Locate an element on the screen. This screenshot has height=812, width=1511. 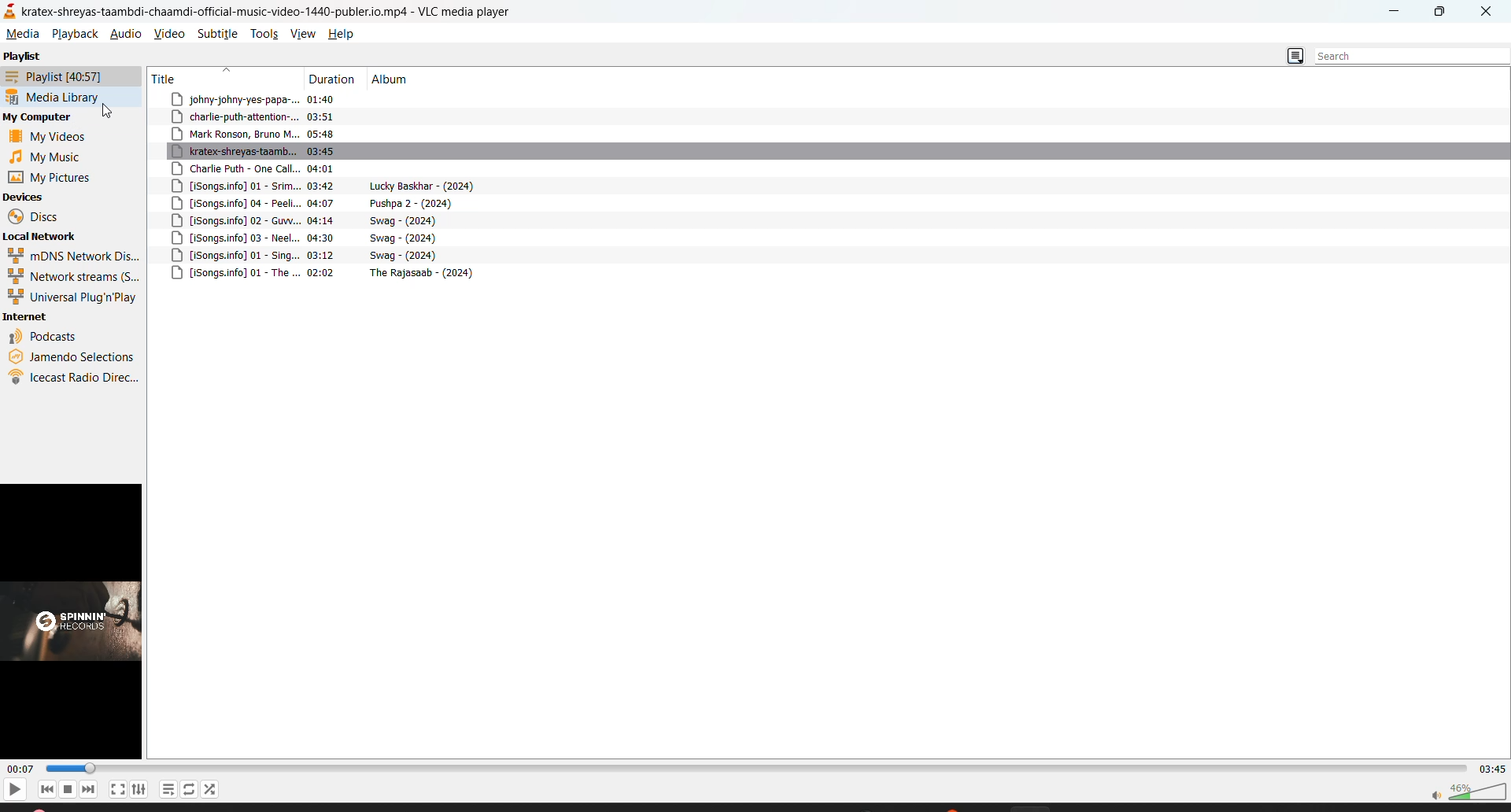
loop is located at coordinates (188, 787).